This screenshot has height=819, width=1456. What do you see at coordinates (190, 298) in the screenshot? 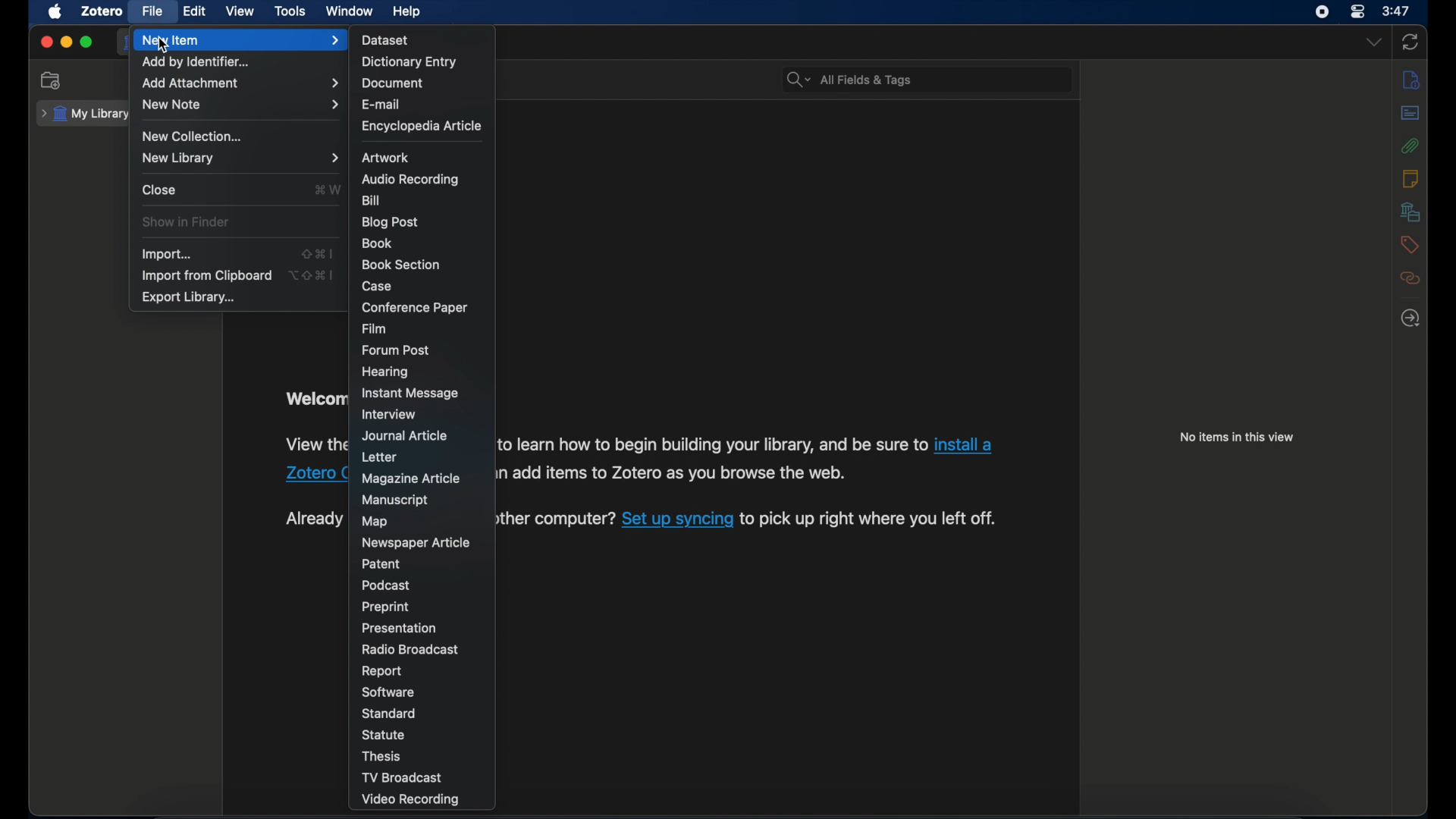
I see `export library` at bounding box center [190, 298].